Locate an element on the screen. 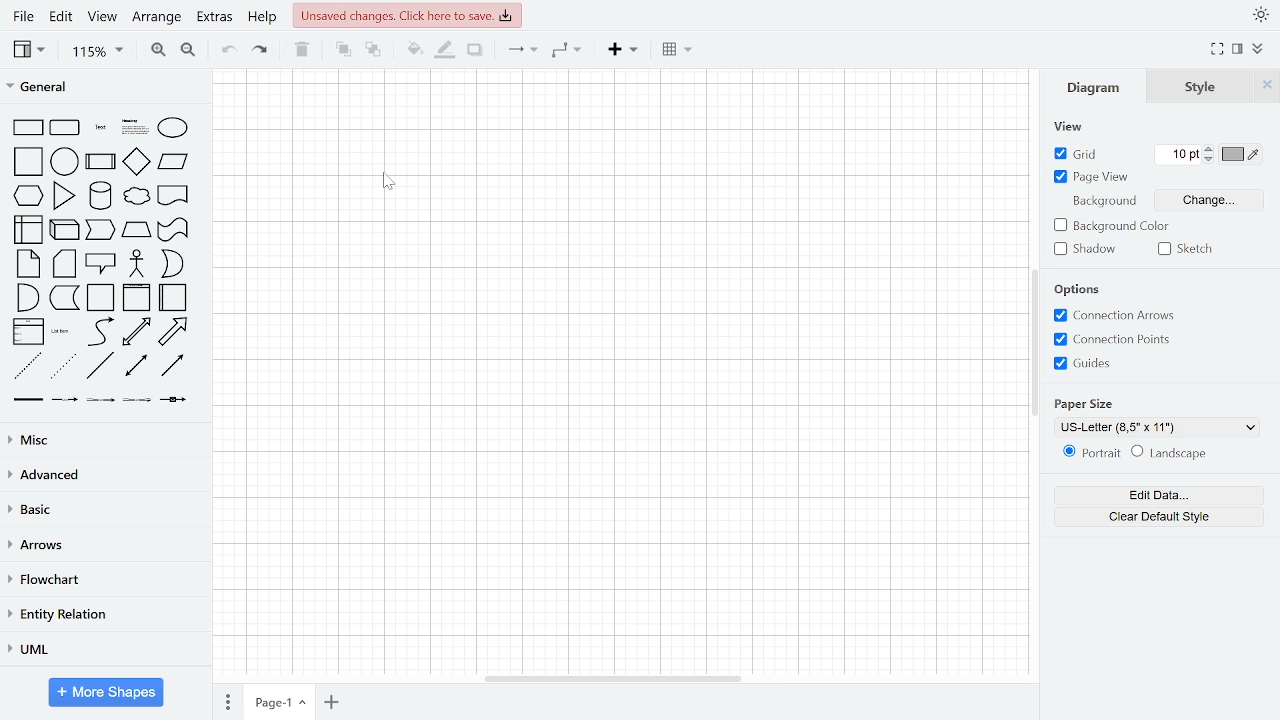 The image size is (1280, 720). rectangle is located at coordinates (29, 128).